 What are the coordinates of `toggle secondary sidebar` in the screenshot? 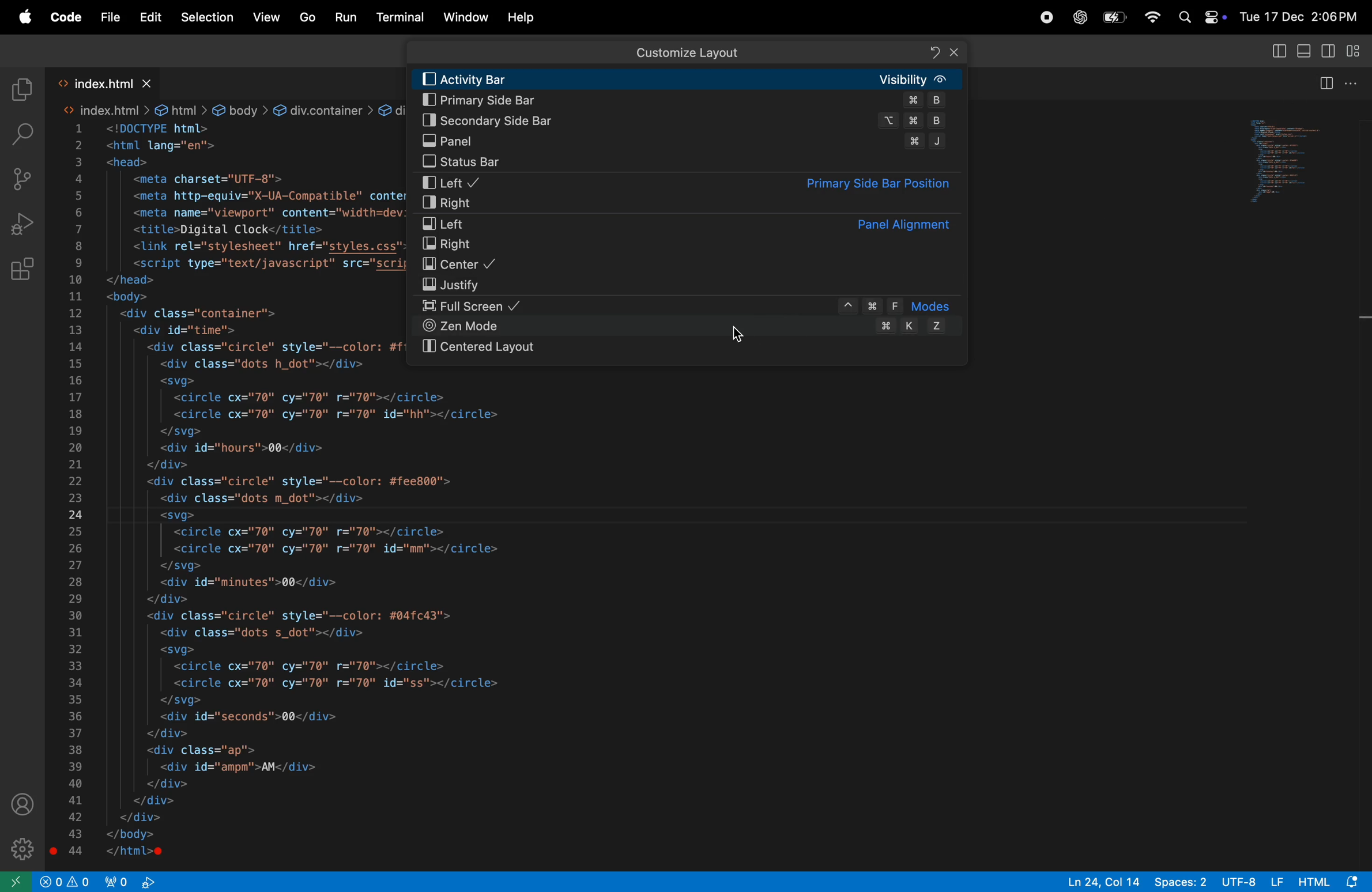 It's located at (1329, 50).